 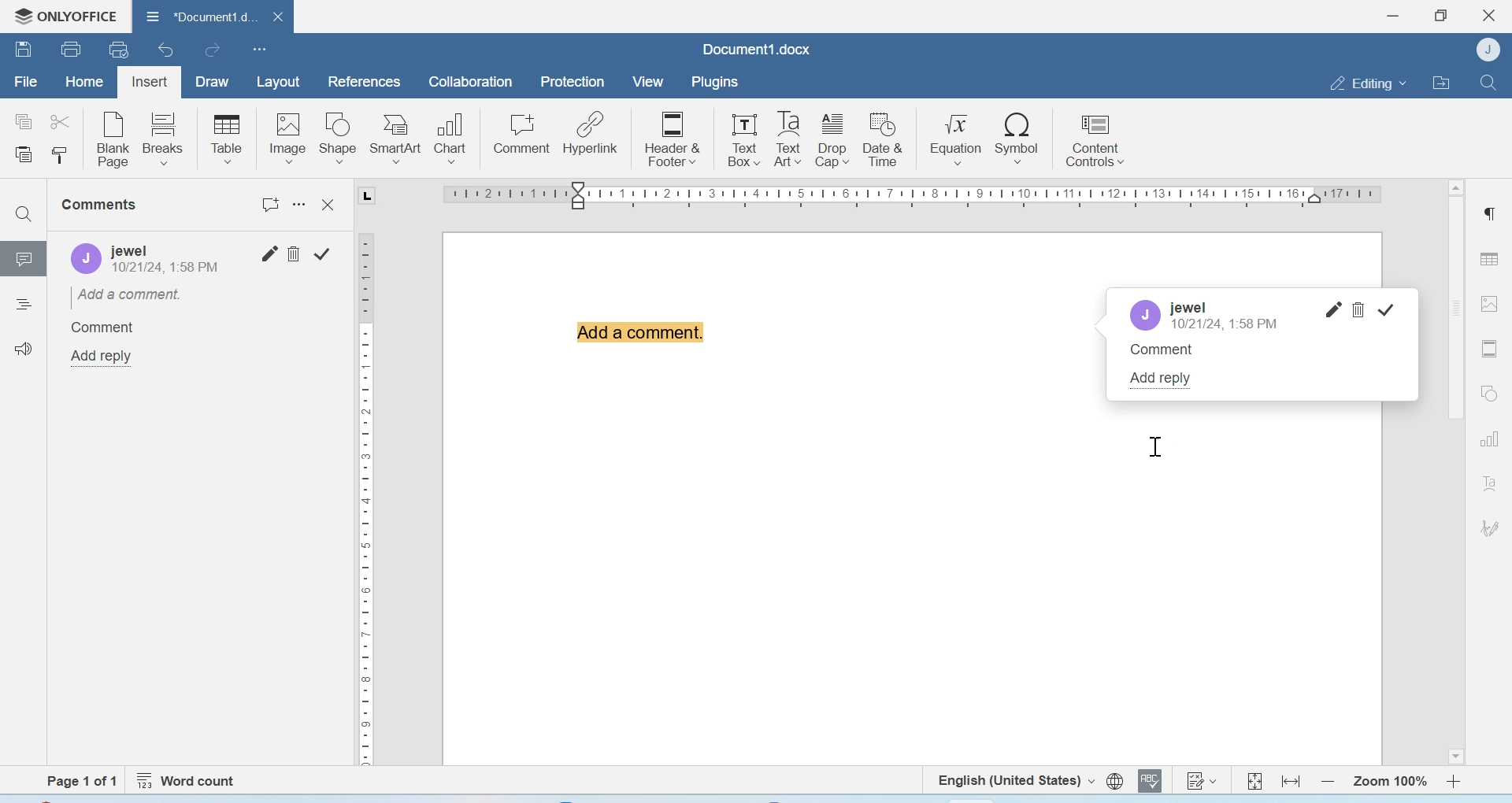 I want to click on Text, so click(x=1490, y=483).